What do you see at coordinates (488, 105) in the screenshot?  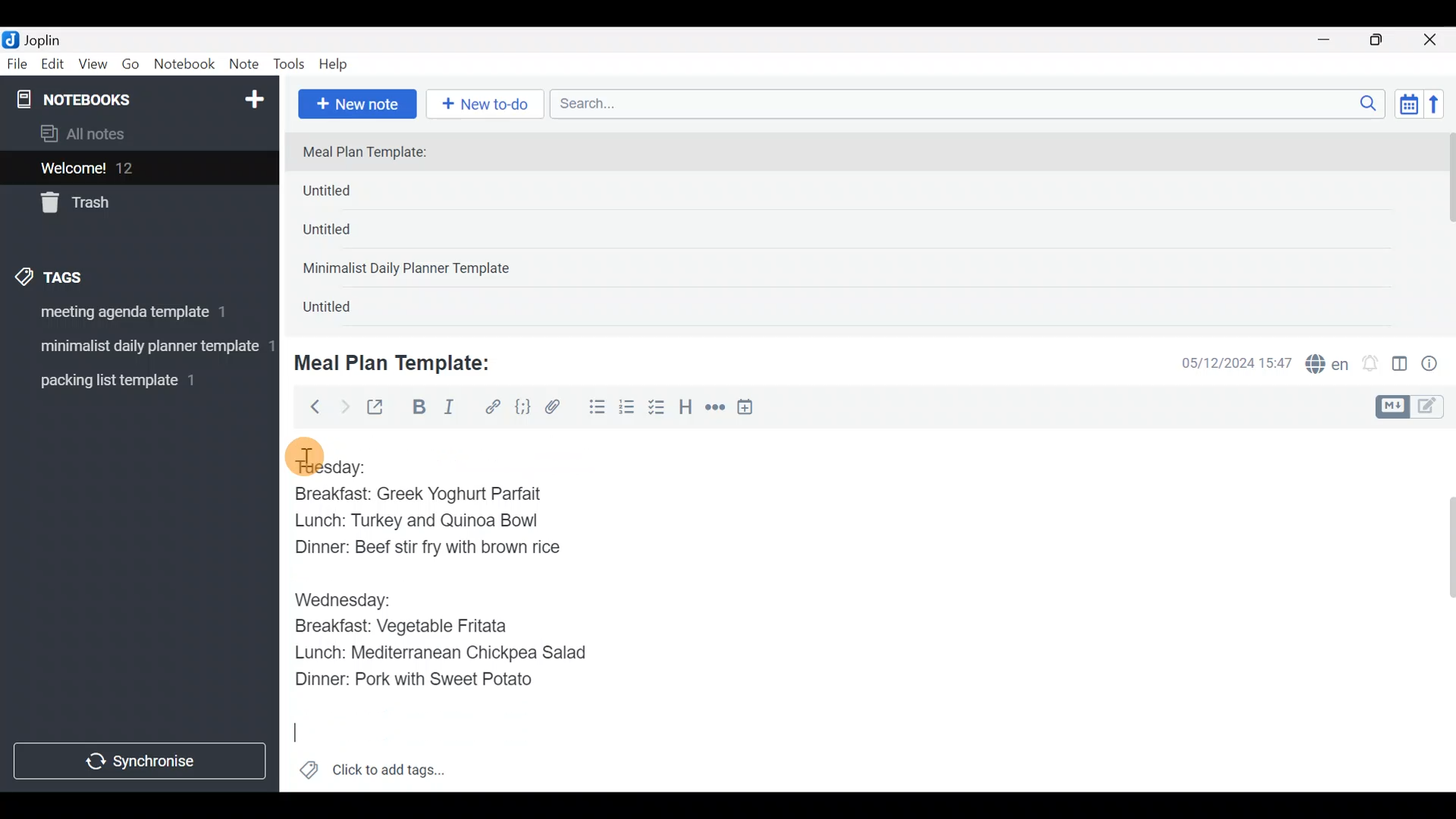 I see `New to-do` at bounding box center [488, 105].